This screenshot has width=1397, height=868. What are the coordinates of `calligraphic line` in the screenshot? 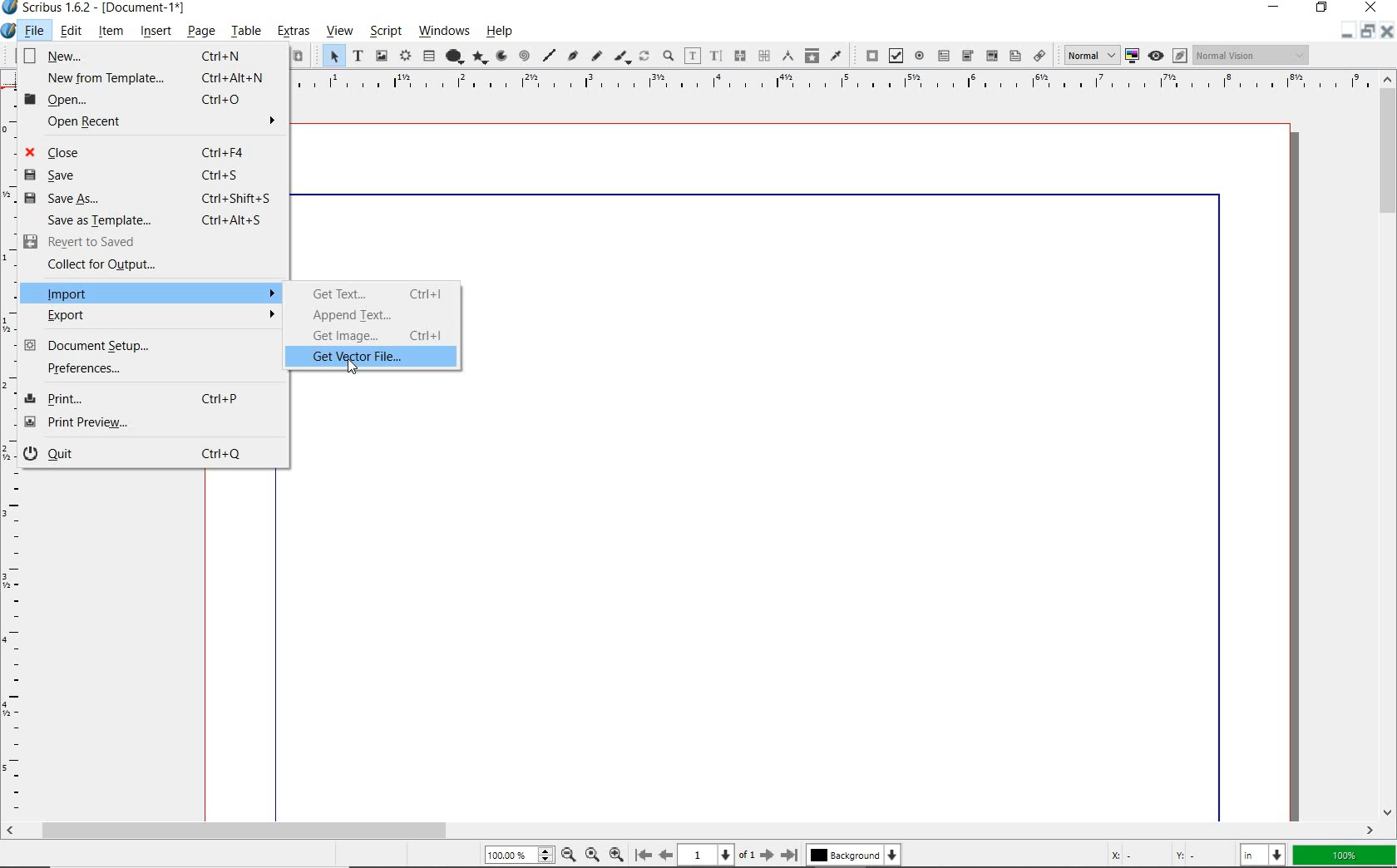 It's located at (624, 57).